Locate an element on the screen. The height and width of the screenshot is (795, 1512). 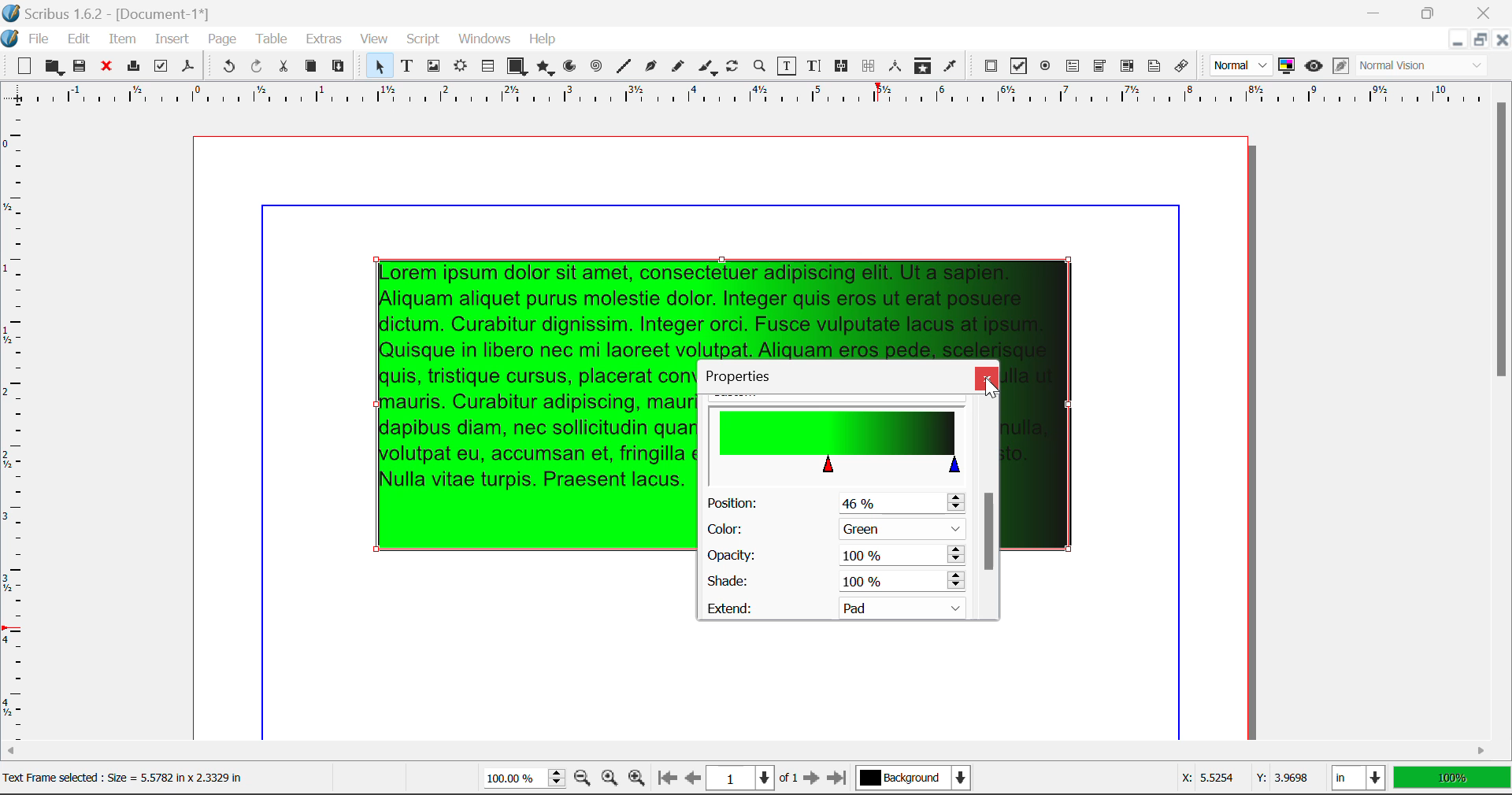
Freehand is located at coordinates (679, 70).